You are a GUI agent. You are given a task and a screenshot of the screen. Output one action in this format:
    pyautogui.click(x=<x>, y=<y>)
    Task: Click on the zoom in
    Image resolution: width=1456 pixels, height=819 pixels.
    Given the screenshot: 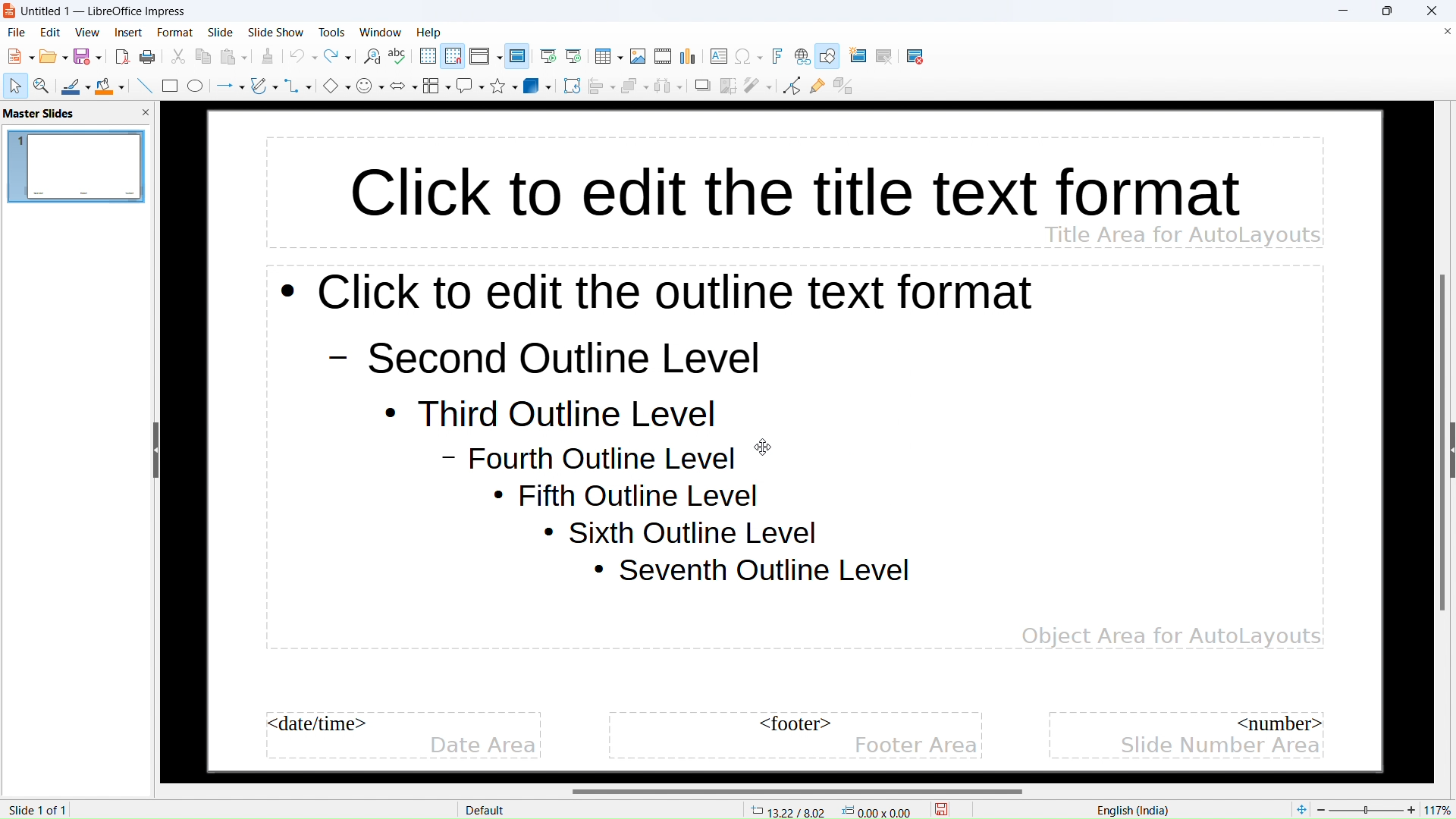 What is the action you would take?
    pyautogui.click(x=1411, y=808)
    